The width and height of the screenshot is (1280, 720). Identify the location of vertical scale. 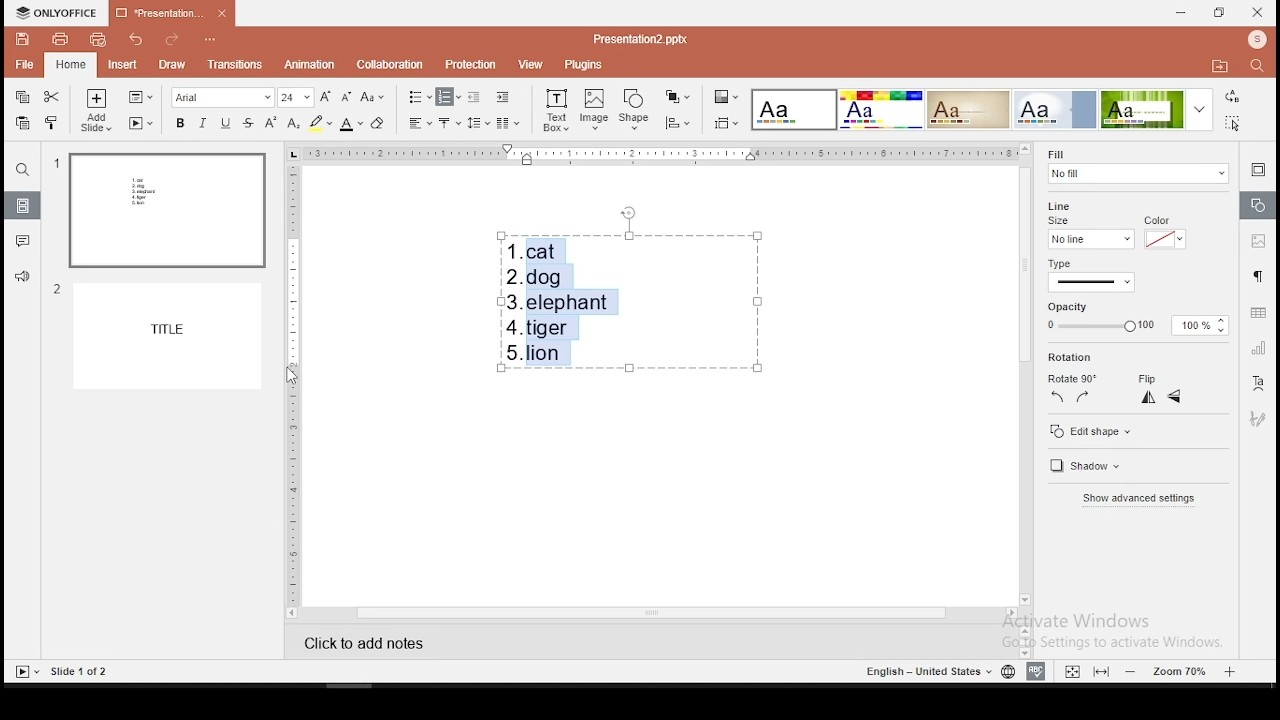
(293, 383).